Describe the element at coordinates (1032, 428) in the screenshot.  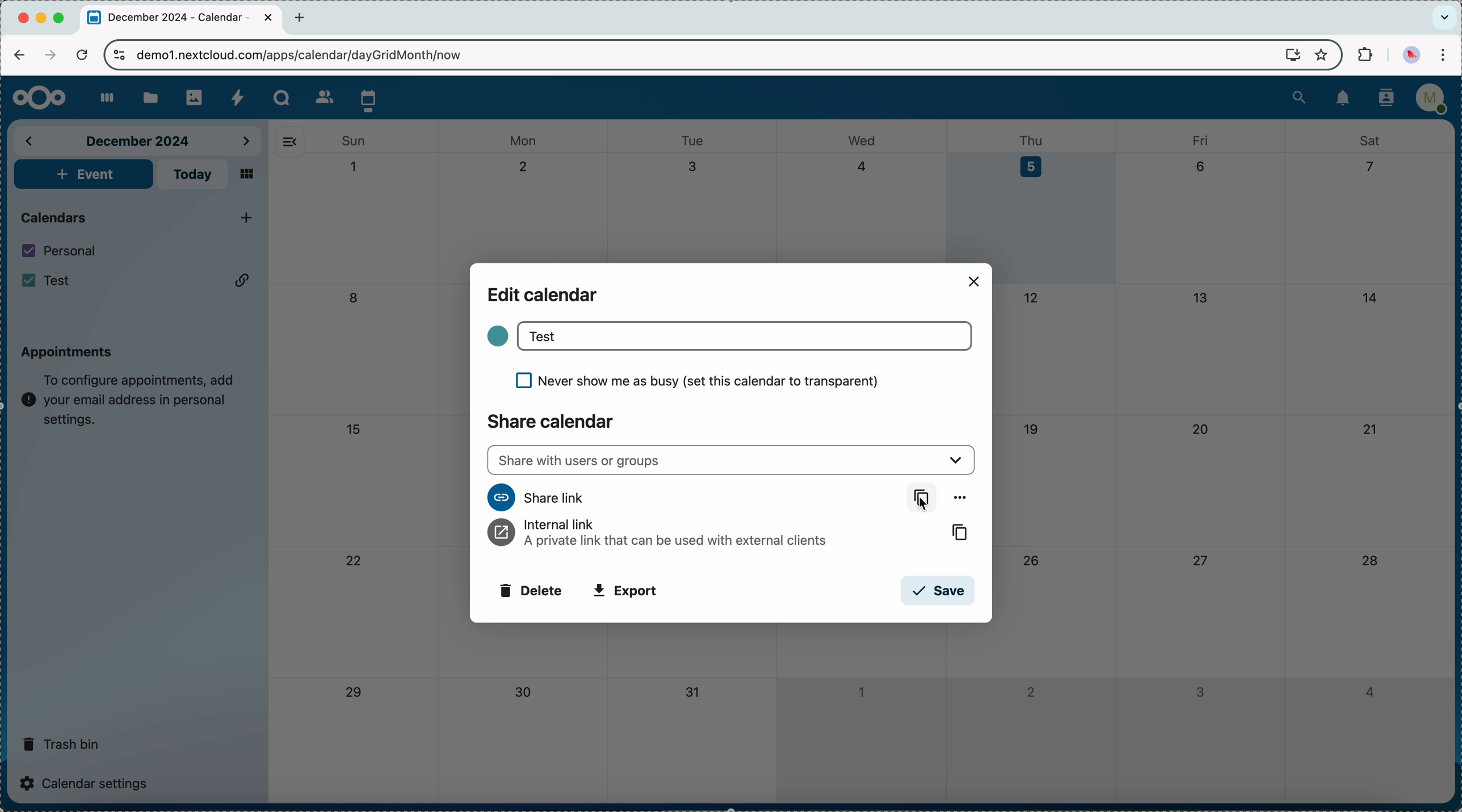
I see `19` at that location.